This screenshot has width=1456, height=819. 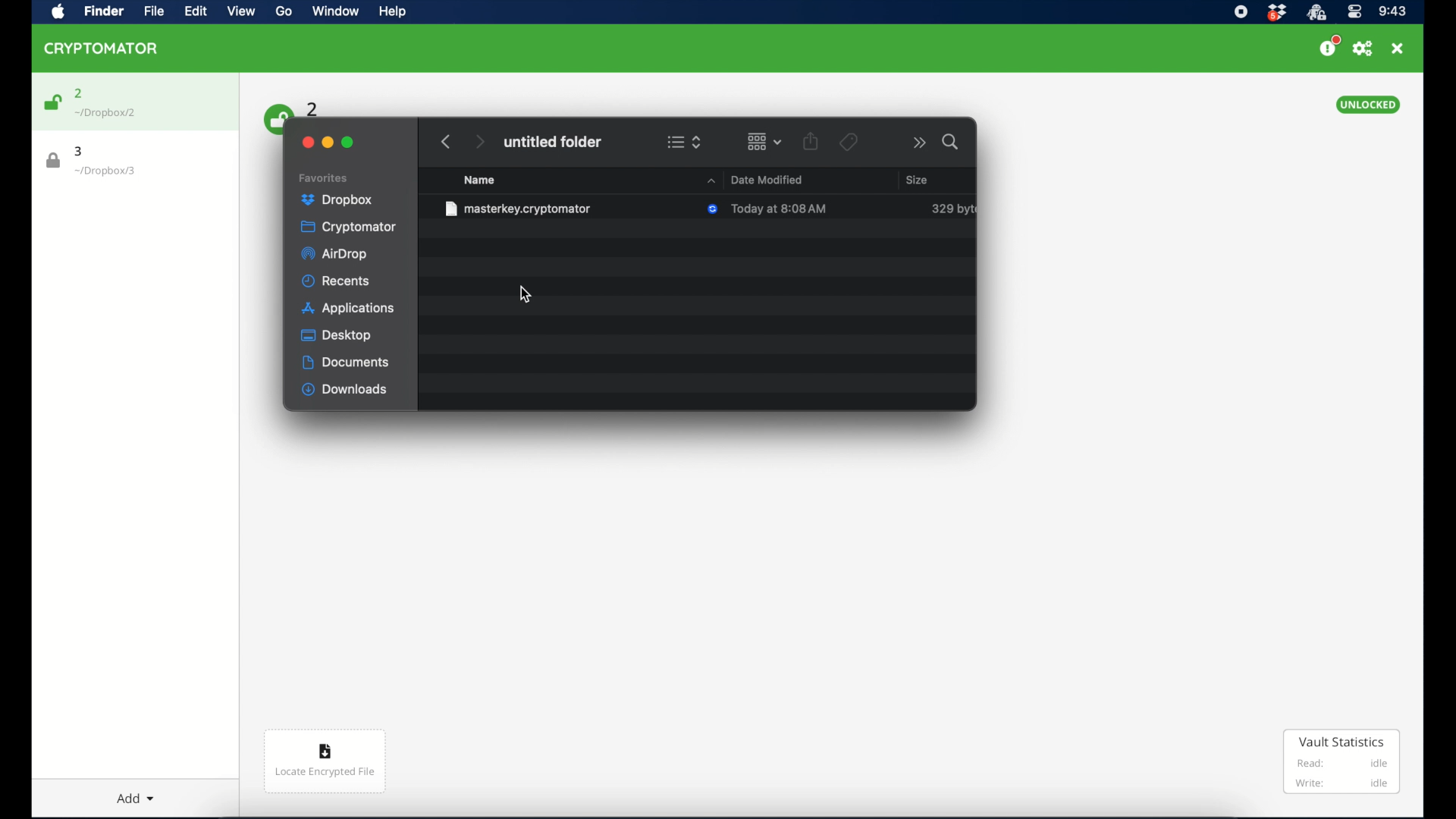 I want to click on size, so click(x=952, y=209).